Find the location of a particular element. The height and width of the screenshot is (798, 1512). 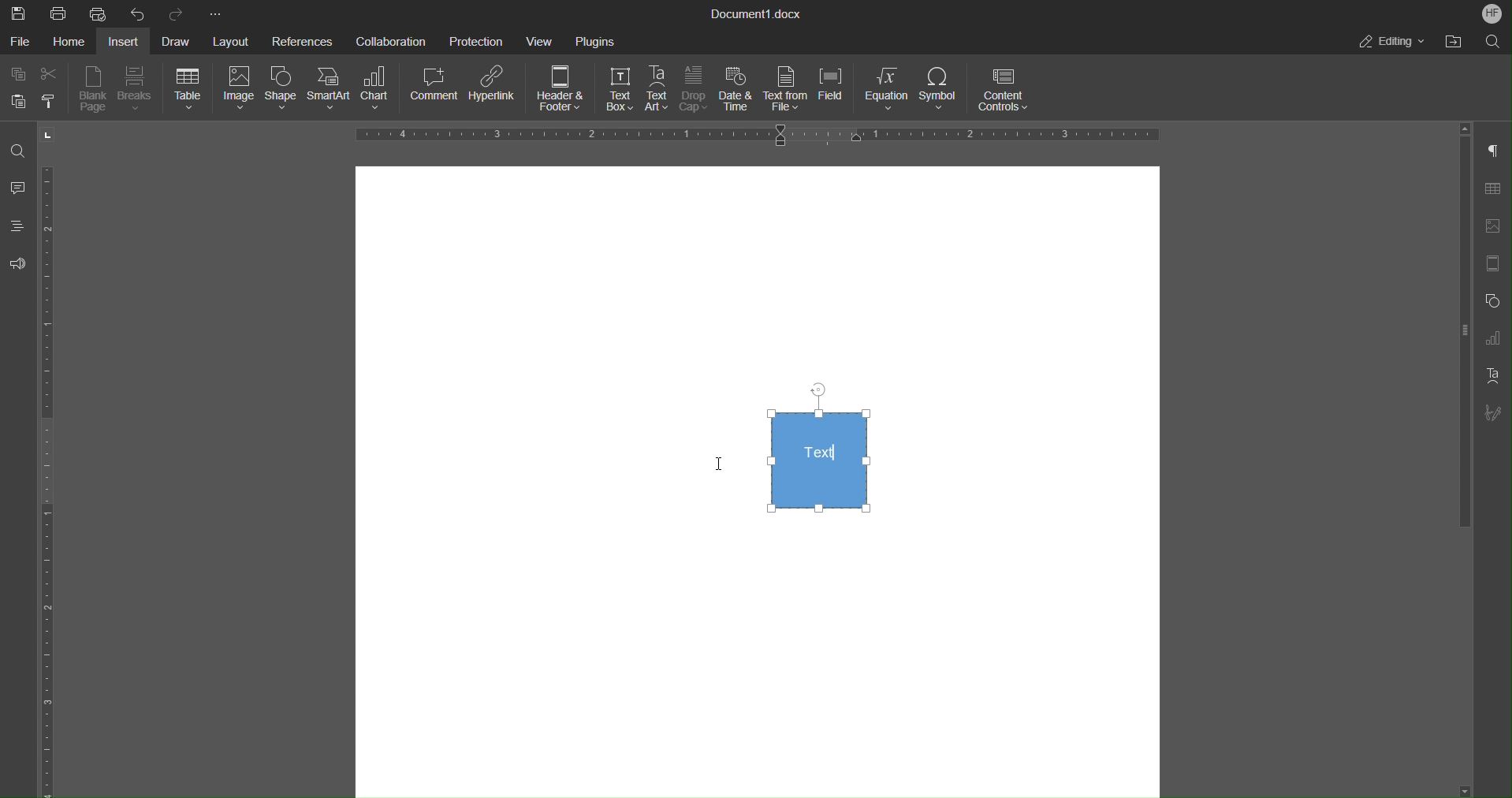

Vertical scroll bar is located at coordinates (1462, 337).